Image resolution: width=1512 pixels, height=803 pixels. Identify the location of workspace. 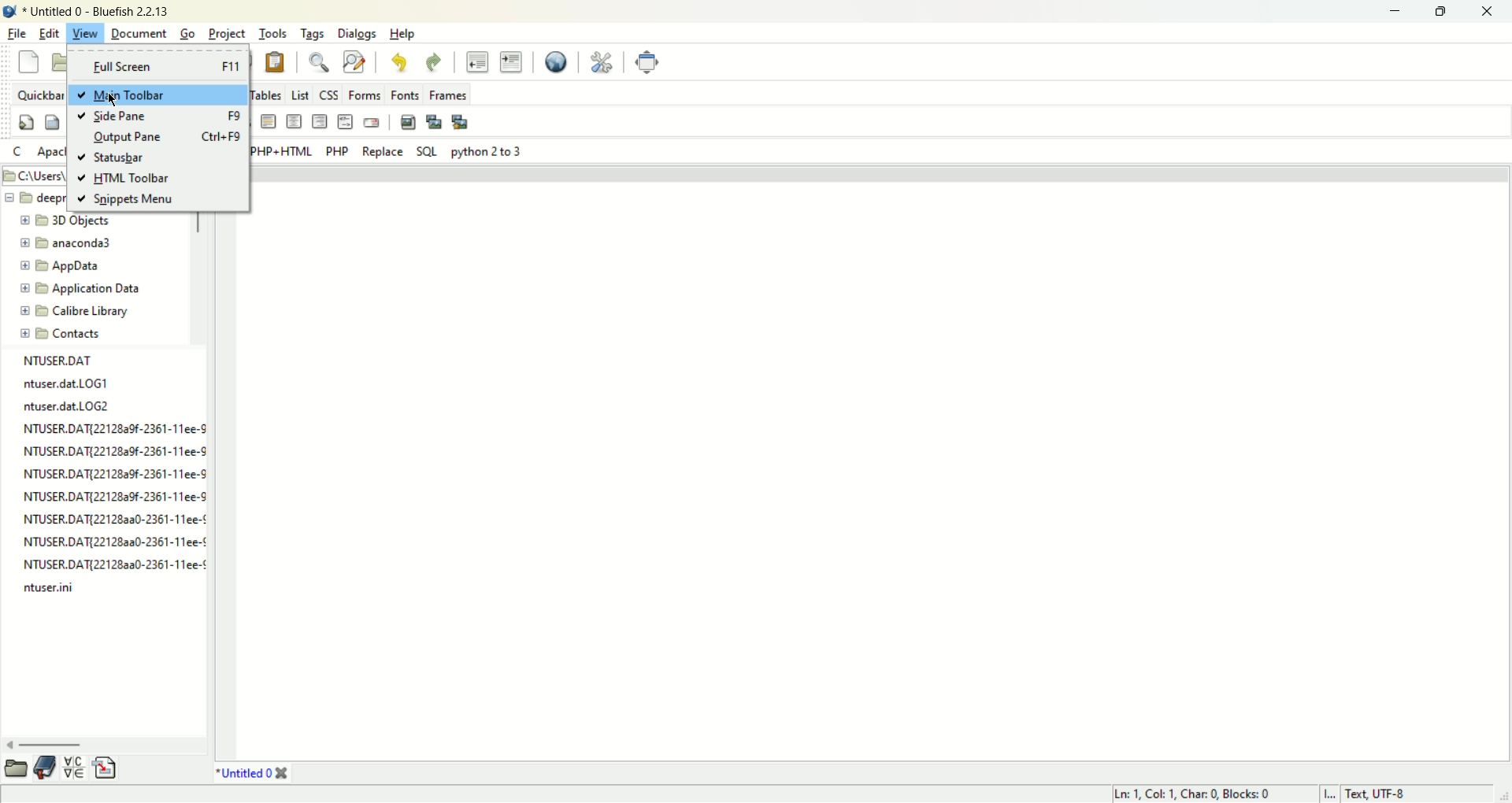
(873, 462).